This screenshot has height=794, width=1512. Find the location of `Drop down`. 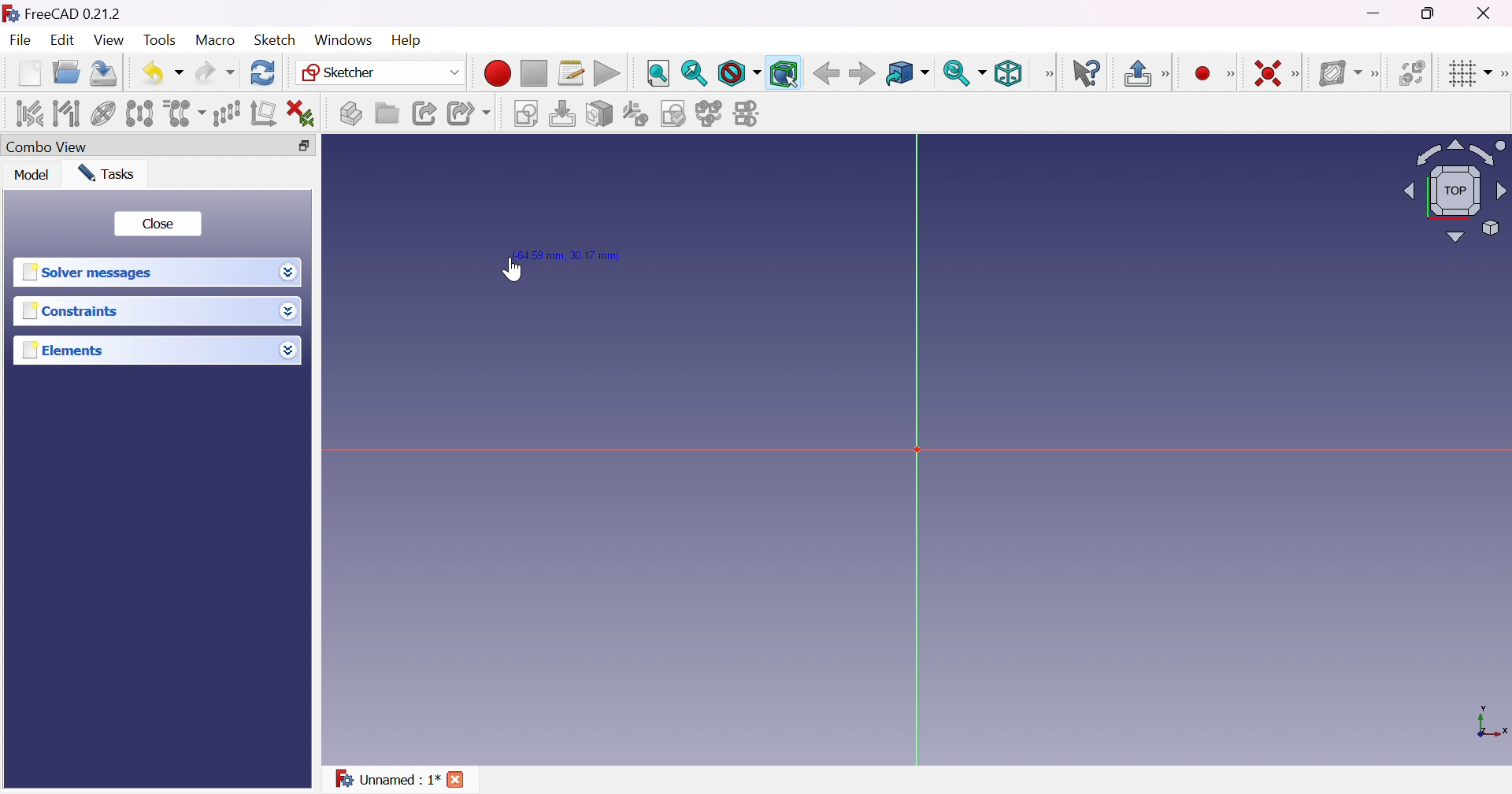

Drop down is located at coordinates (289, 351).